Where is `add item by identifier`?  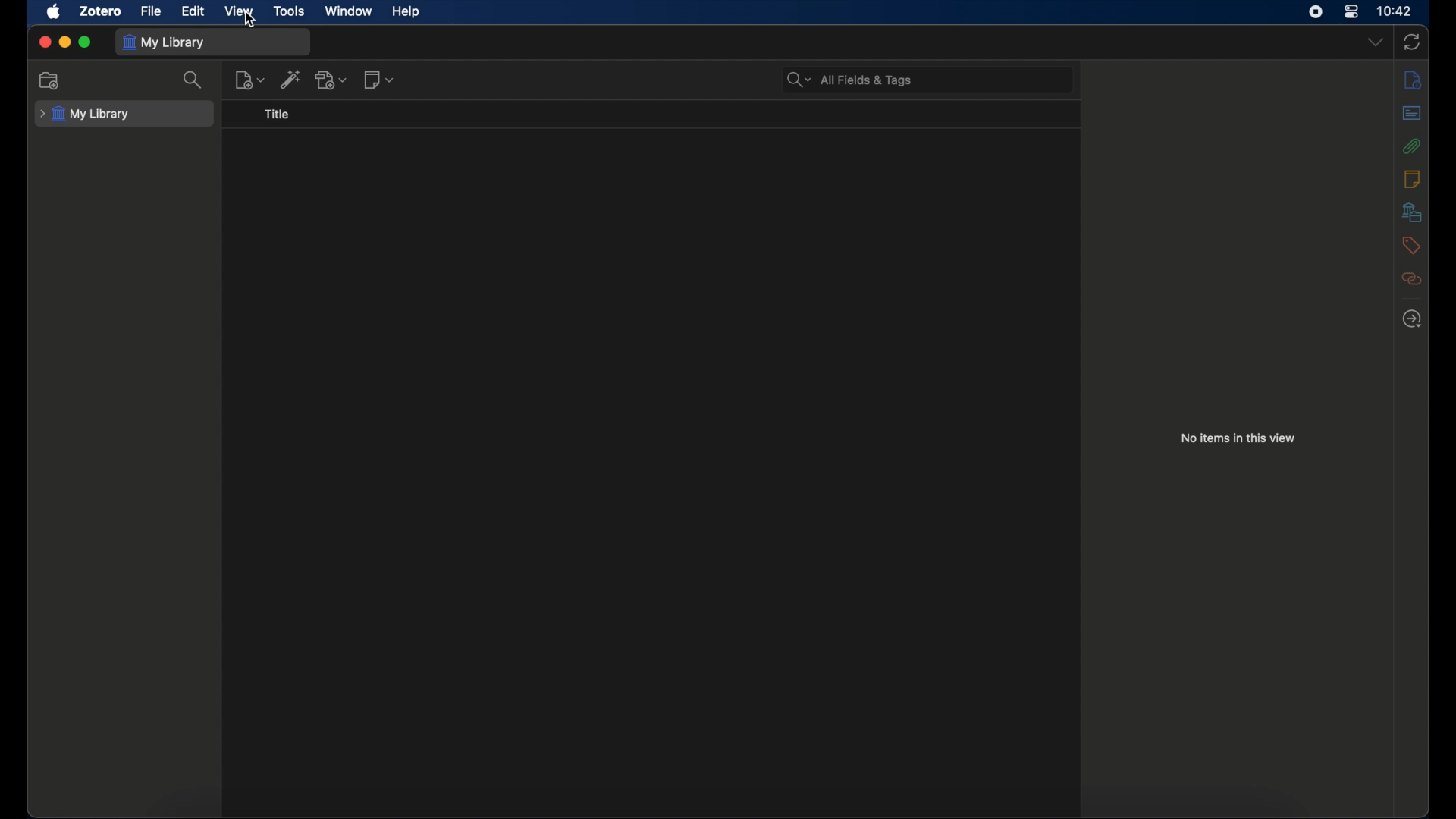 add item by identifier is located at coordinates (293, 79).